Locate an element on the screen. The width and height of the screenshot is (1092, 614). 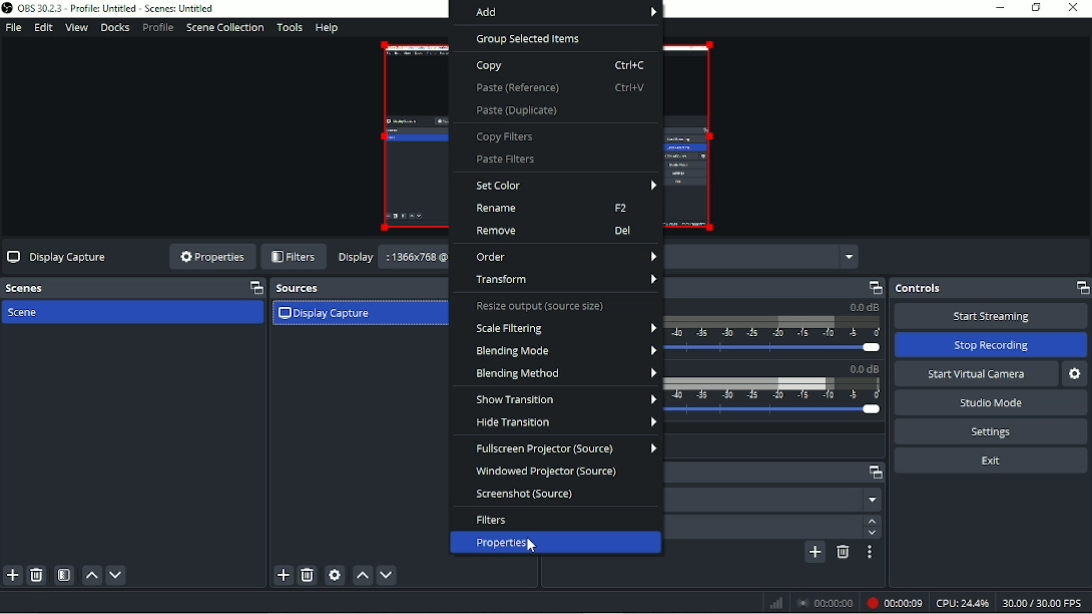
Recording(00:00:09) is located at coordinates (893, 602).